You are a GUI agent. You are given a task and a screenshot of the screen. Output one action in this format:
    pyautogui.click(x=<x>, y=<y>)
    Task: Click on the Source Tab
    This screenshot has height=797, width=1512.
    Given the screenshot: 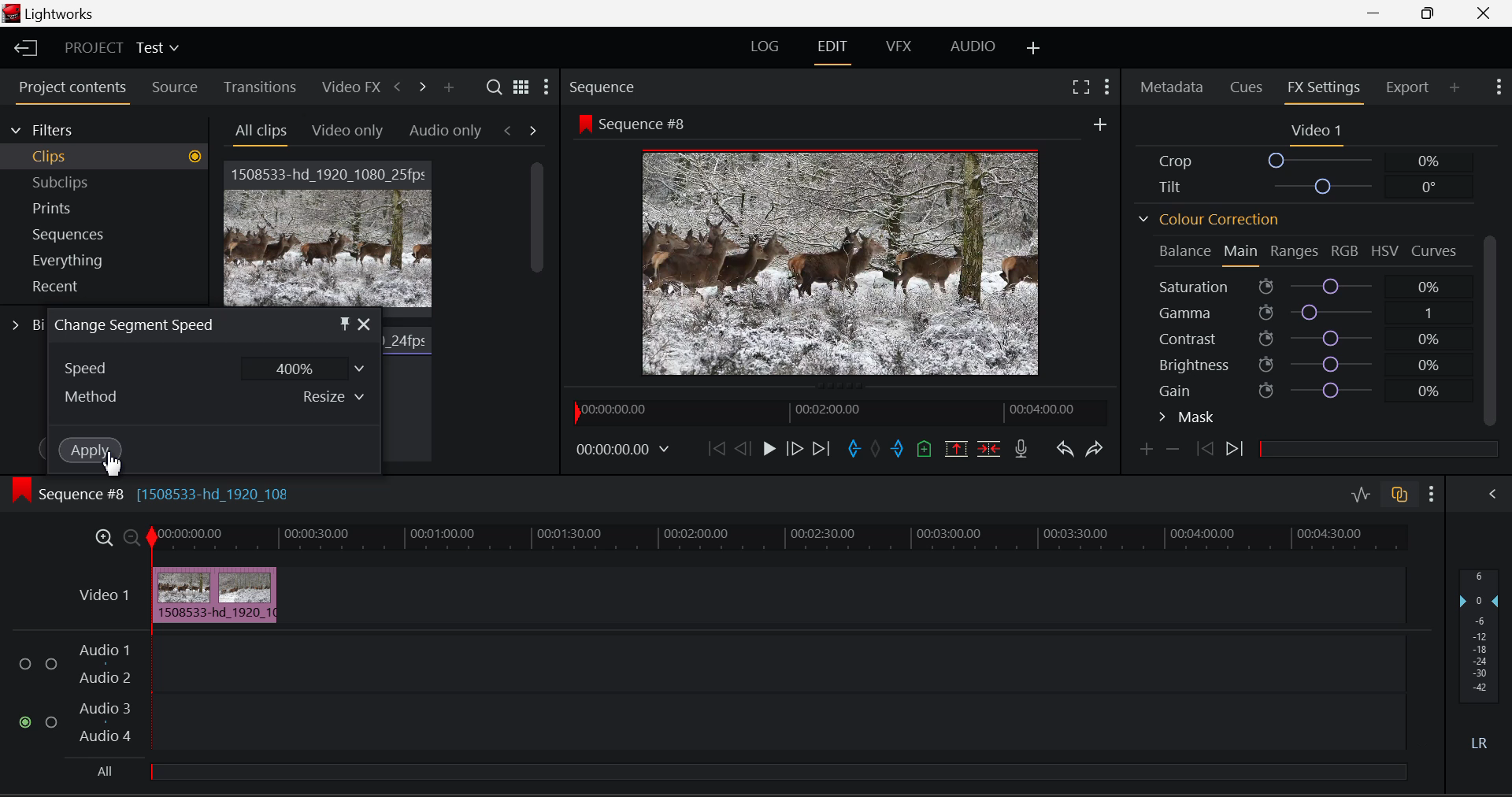 What is the action you would take?
    pyautogui.click(x=174, y=87)
    